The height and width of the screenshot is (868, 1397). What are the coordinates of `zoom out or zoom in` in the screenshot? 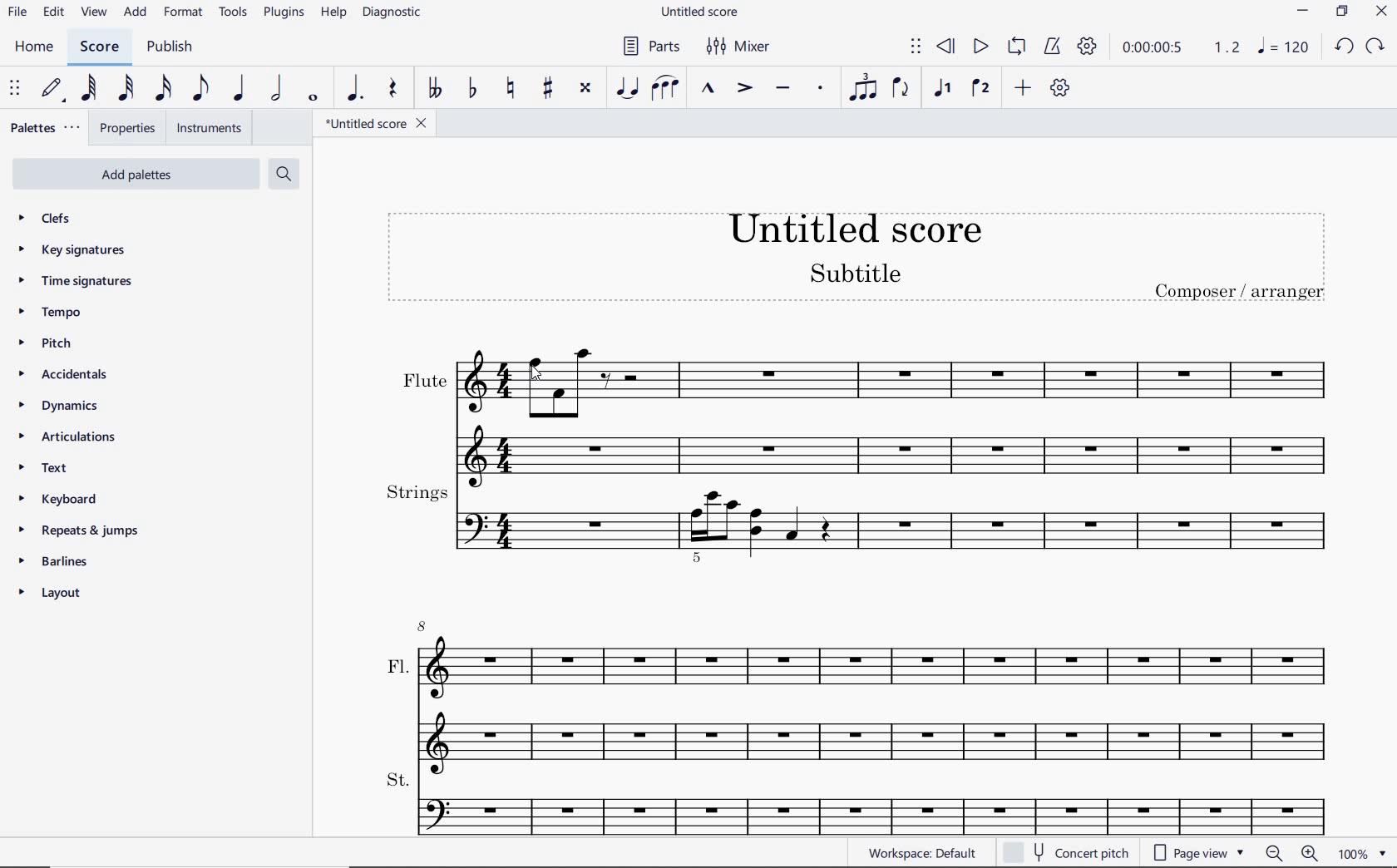 It's located at (1291, 854).